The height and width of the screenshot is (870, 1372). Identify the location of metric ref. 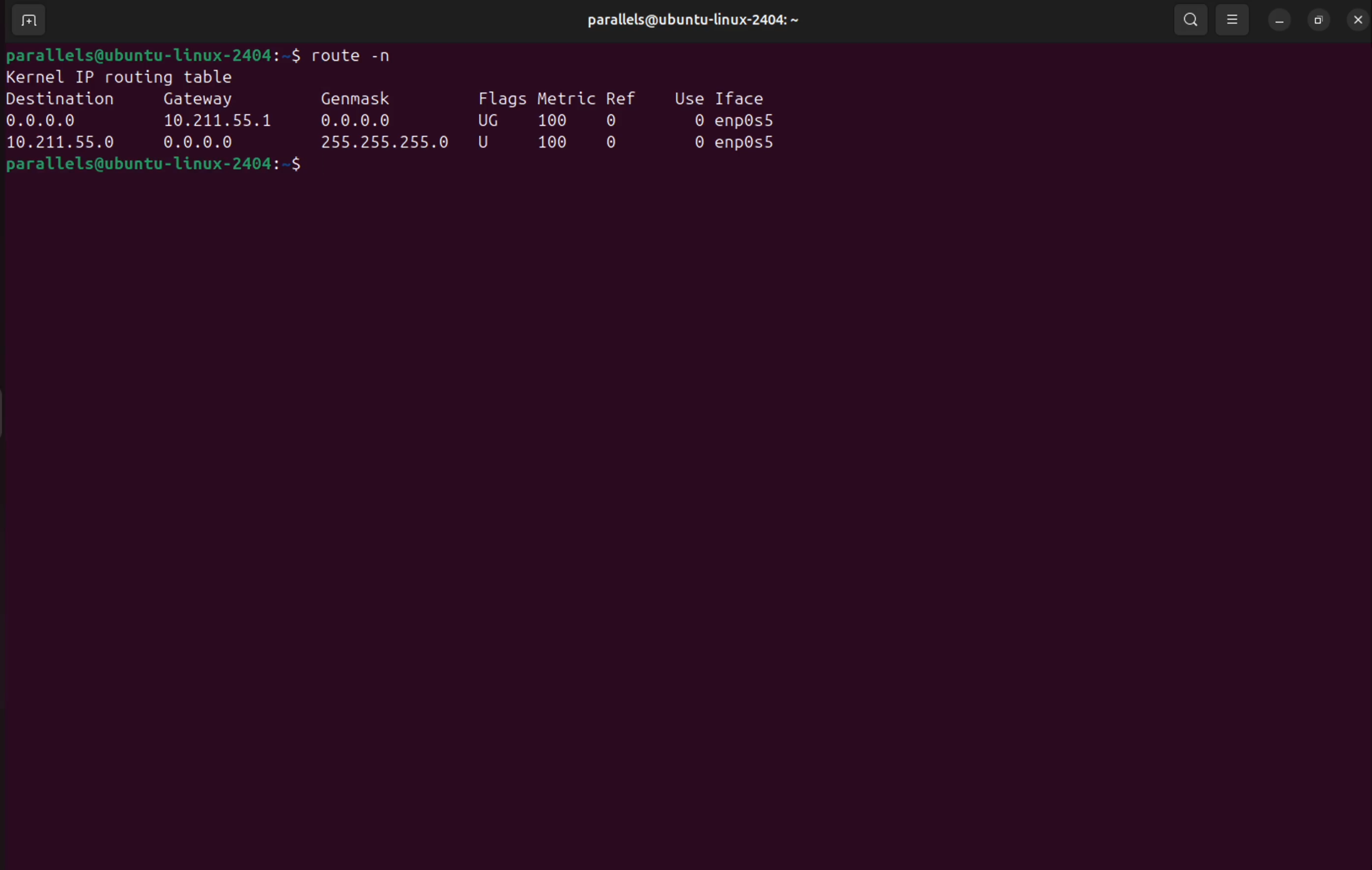
(590, 95).